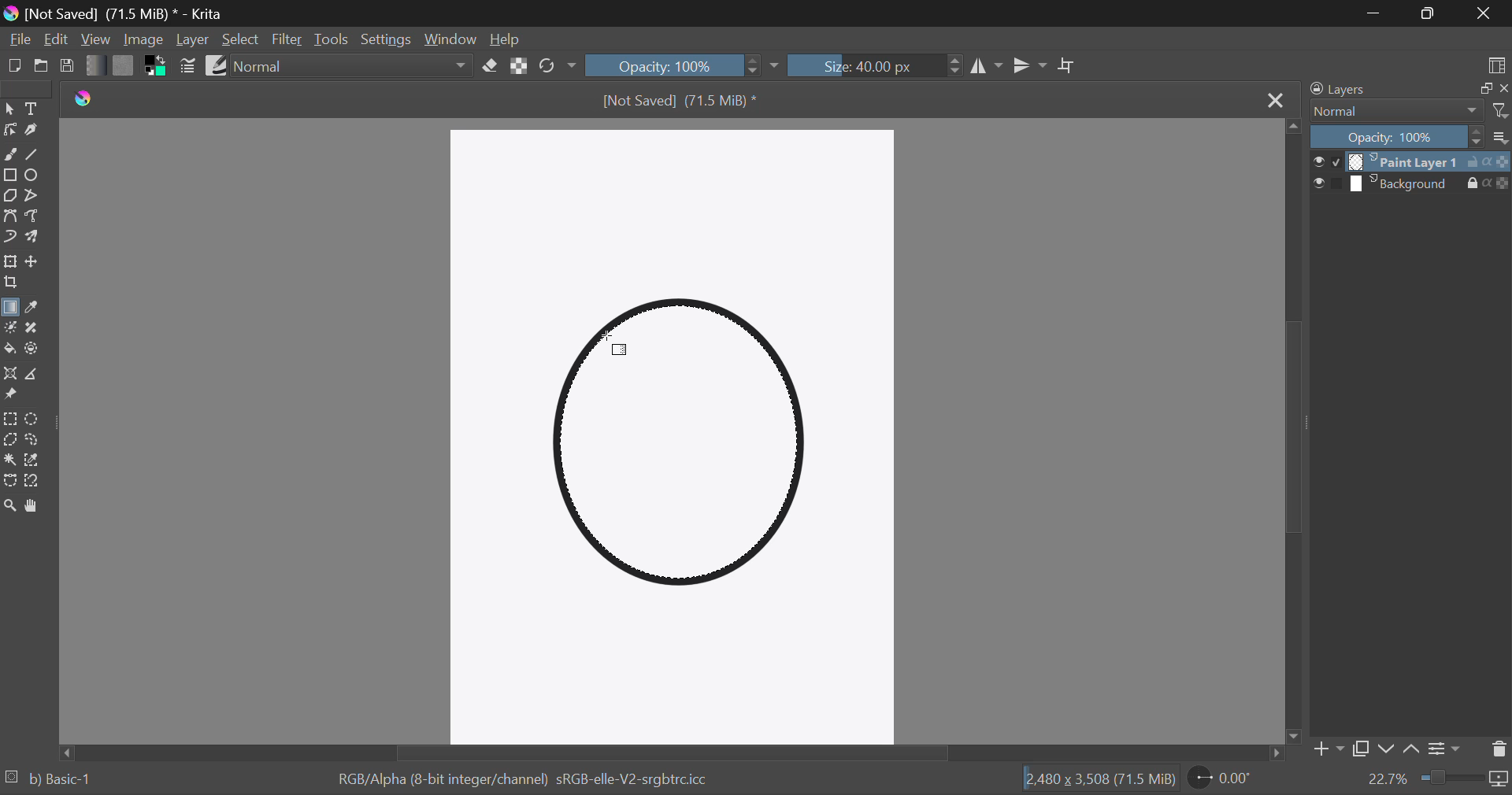 The image size is (1512, 795). I want to click on Move layer up, so click(1410, 749).